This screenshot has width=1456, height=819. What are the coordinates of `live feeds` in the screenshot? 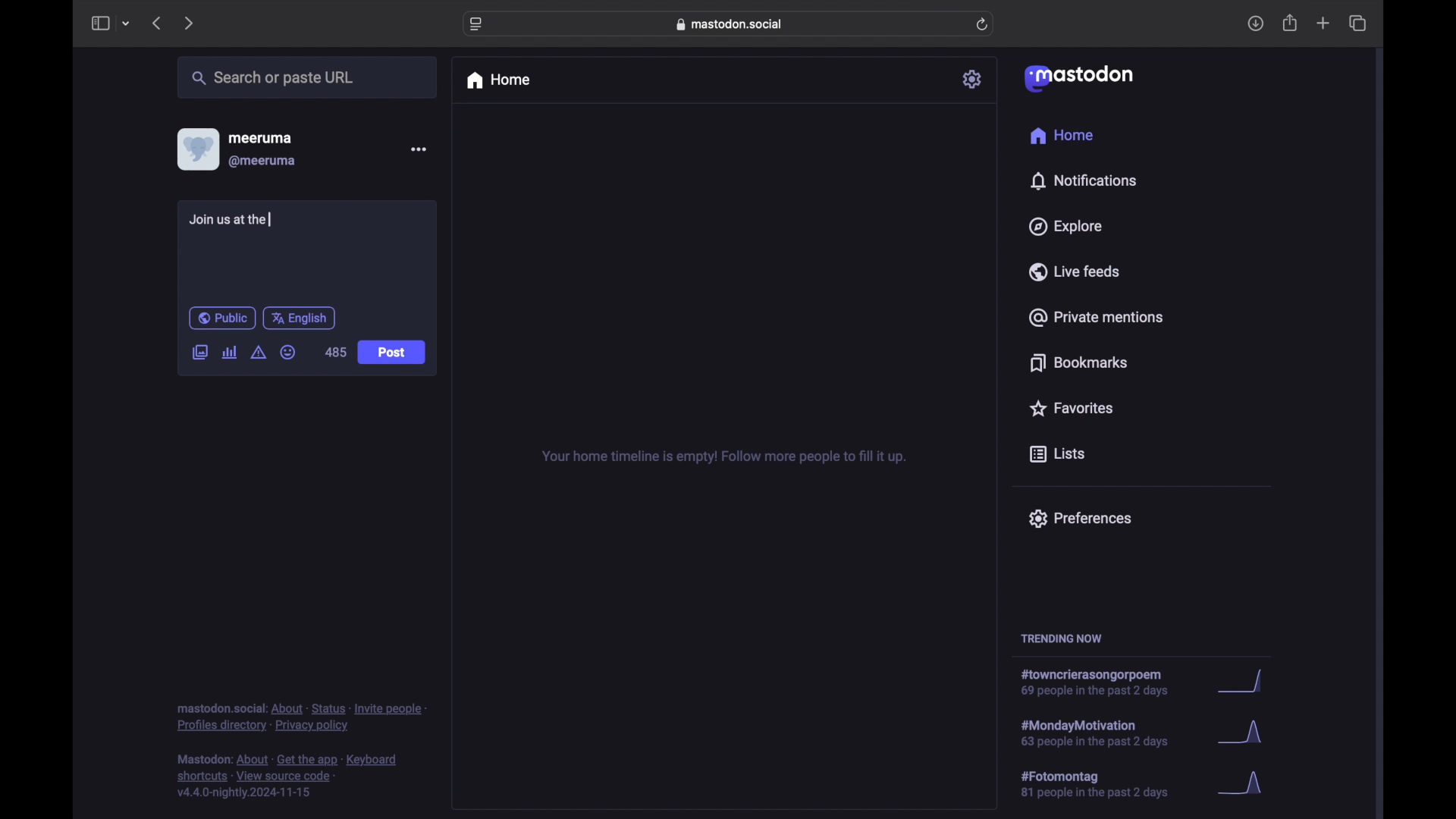 It's located at (1075, 271).